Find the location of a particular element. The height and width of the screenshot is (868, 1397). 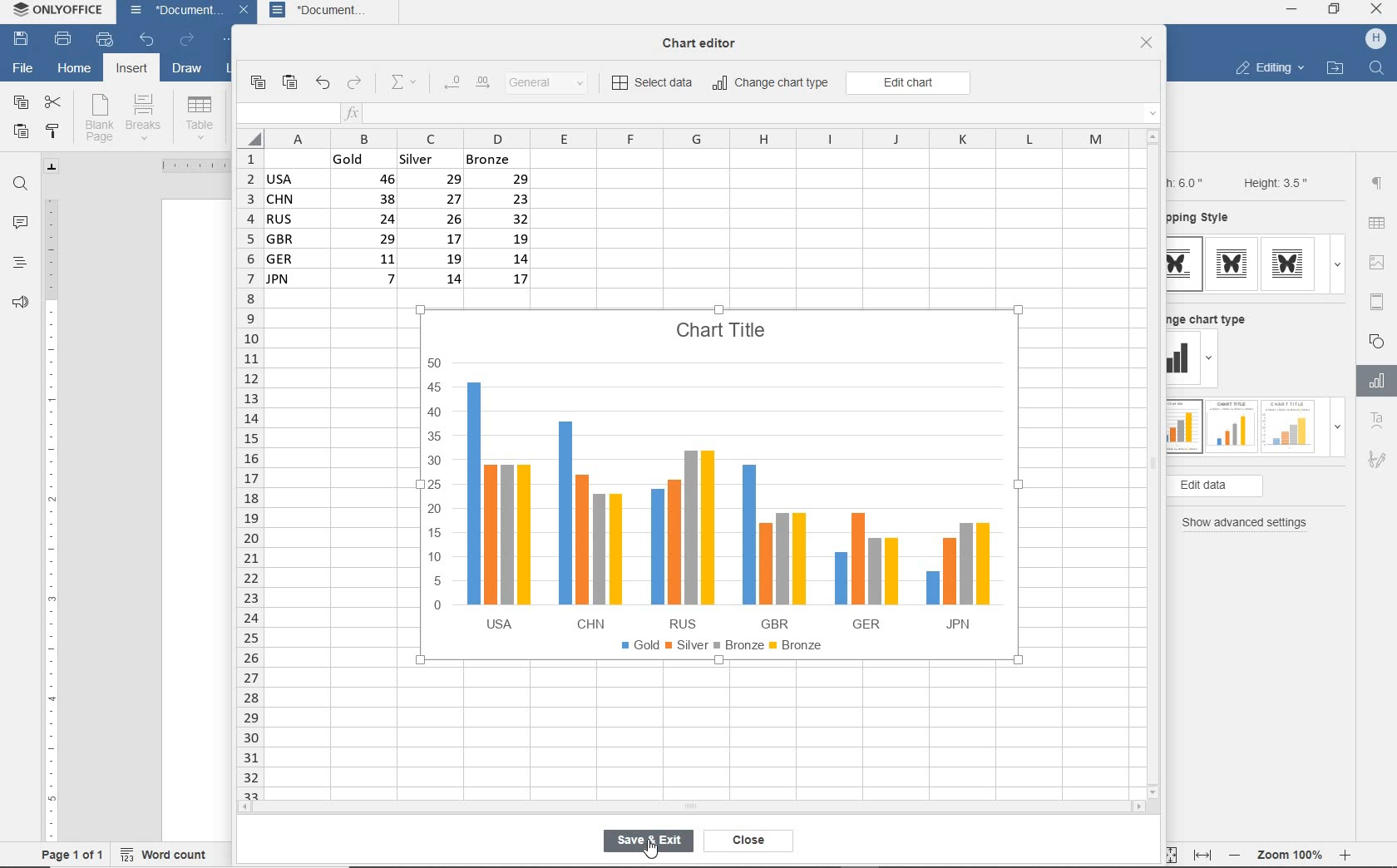

wrapping style is located at coordinates (1205, 219).